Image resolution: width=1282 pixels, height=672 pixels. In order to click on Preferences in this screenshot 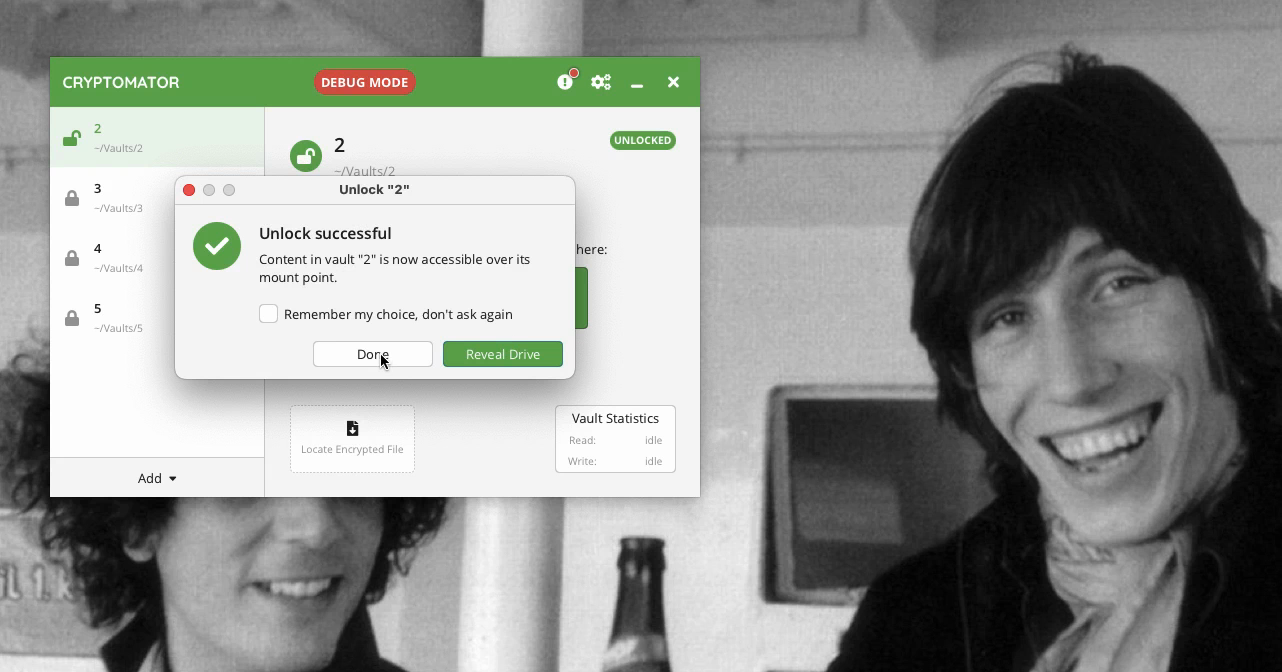, I will do `click(601, 83)`.